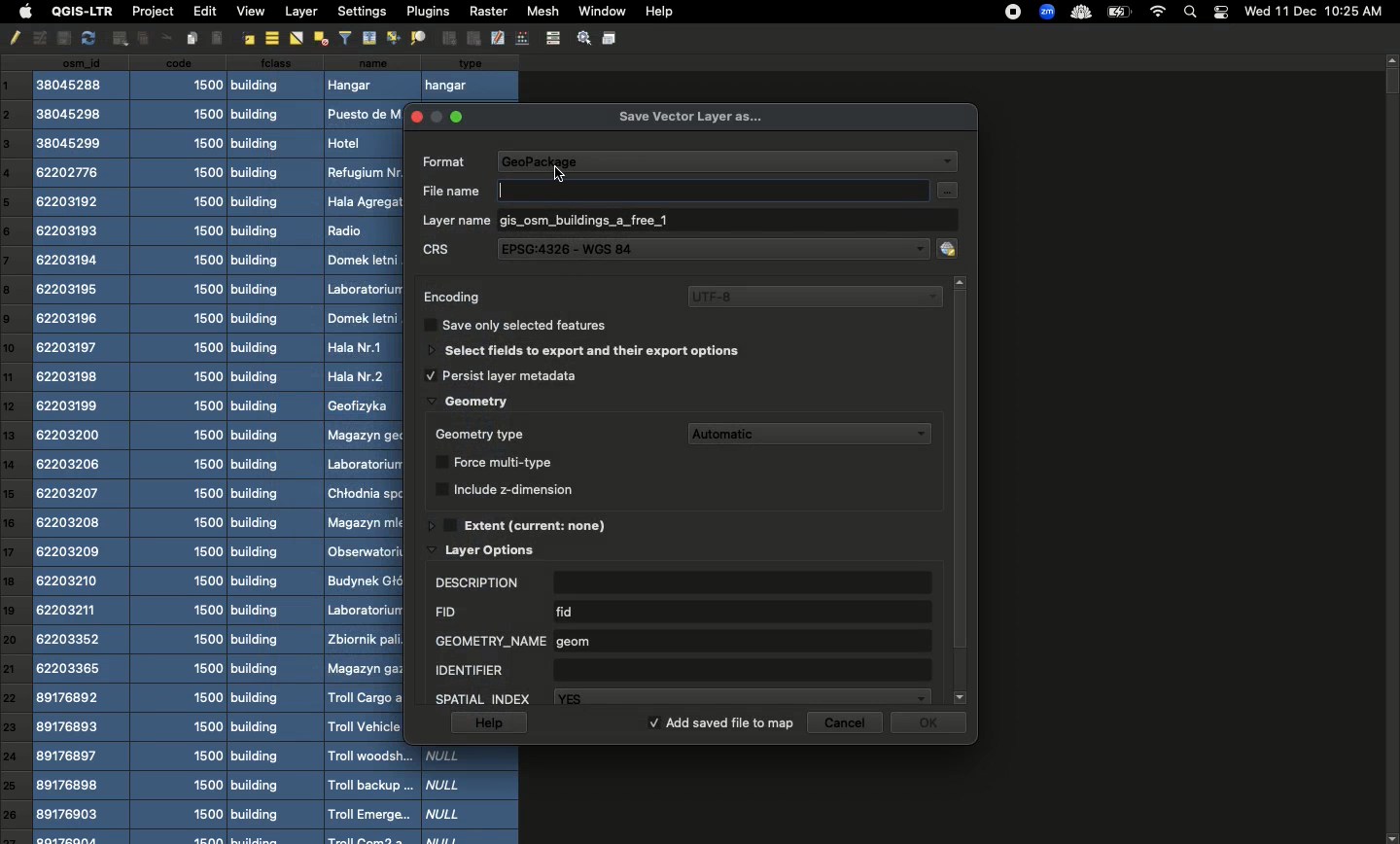 The height and width of the screenshot is (844, 1400). I want to click on Layer name, so click(686, 220).